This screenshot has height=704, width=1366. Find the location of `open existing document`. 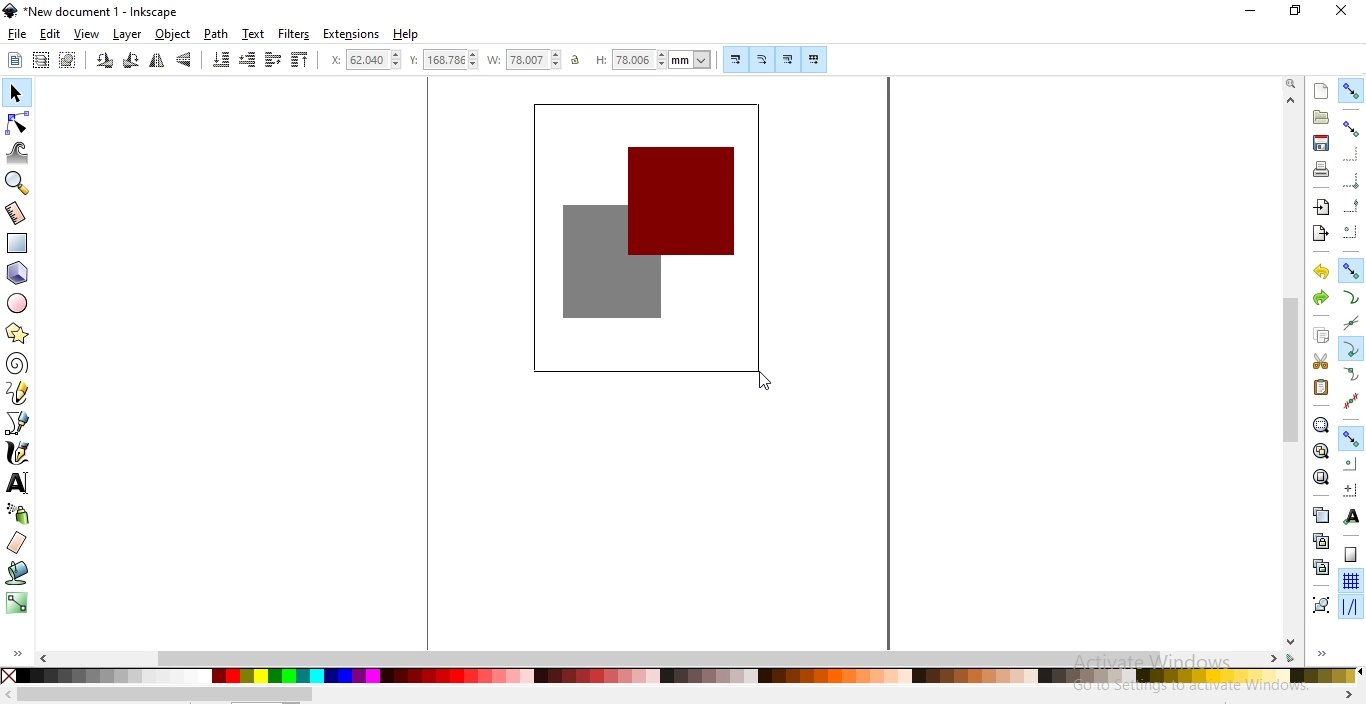

open existing document is located at coordinates (1321, 117).